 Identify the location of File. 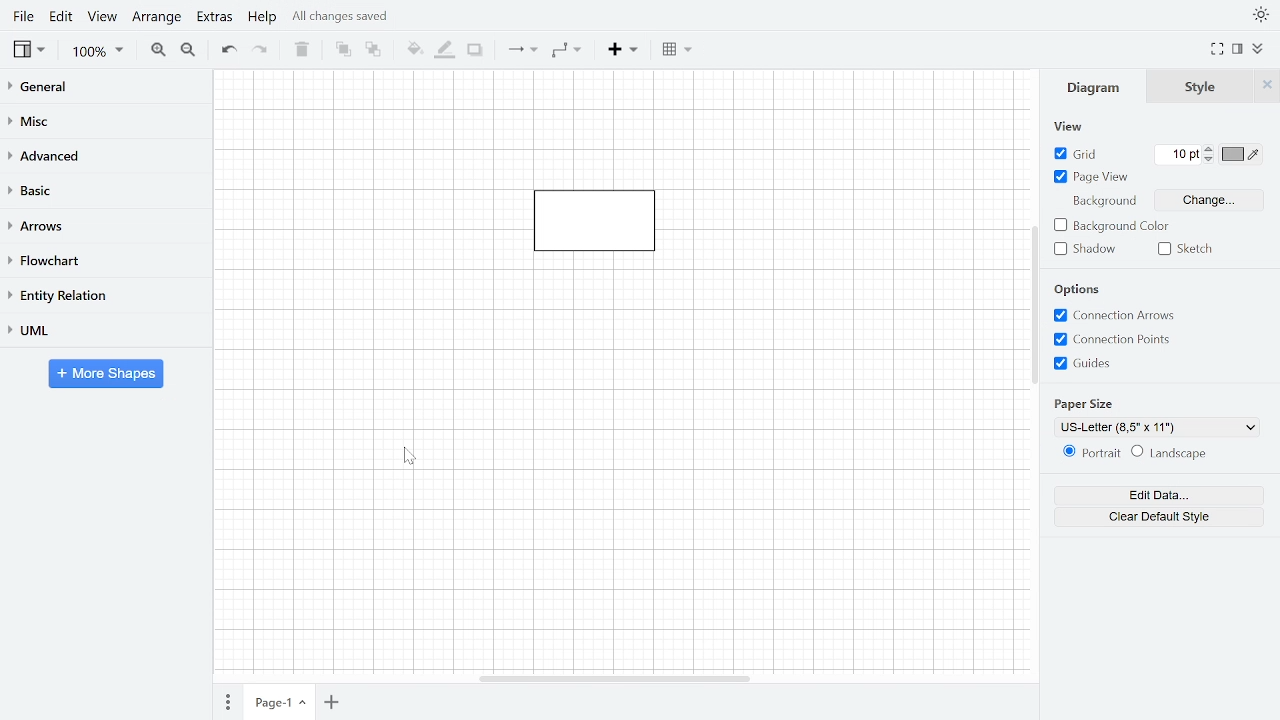
(23, 17).